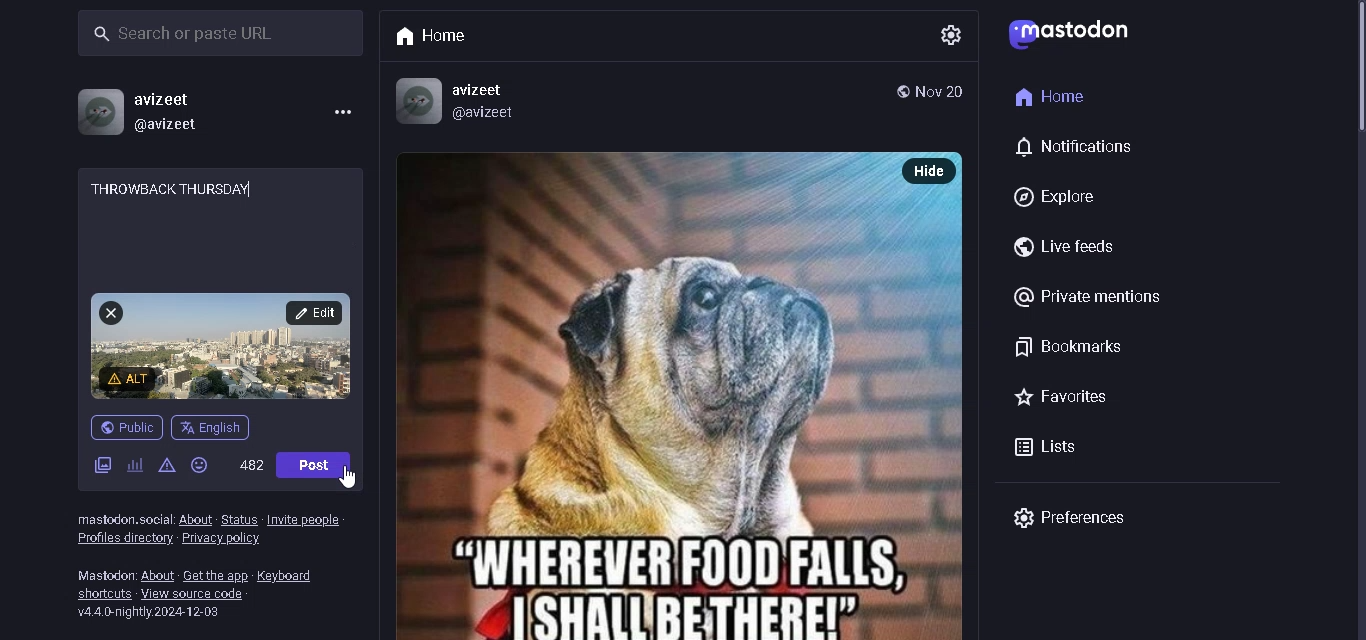 This screenshot has width=1366, height=640. What do you see at coordinates (1356, 85) in the screenshot?
I see `Scrollbar` at bounding box center [1356, 85].